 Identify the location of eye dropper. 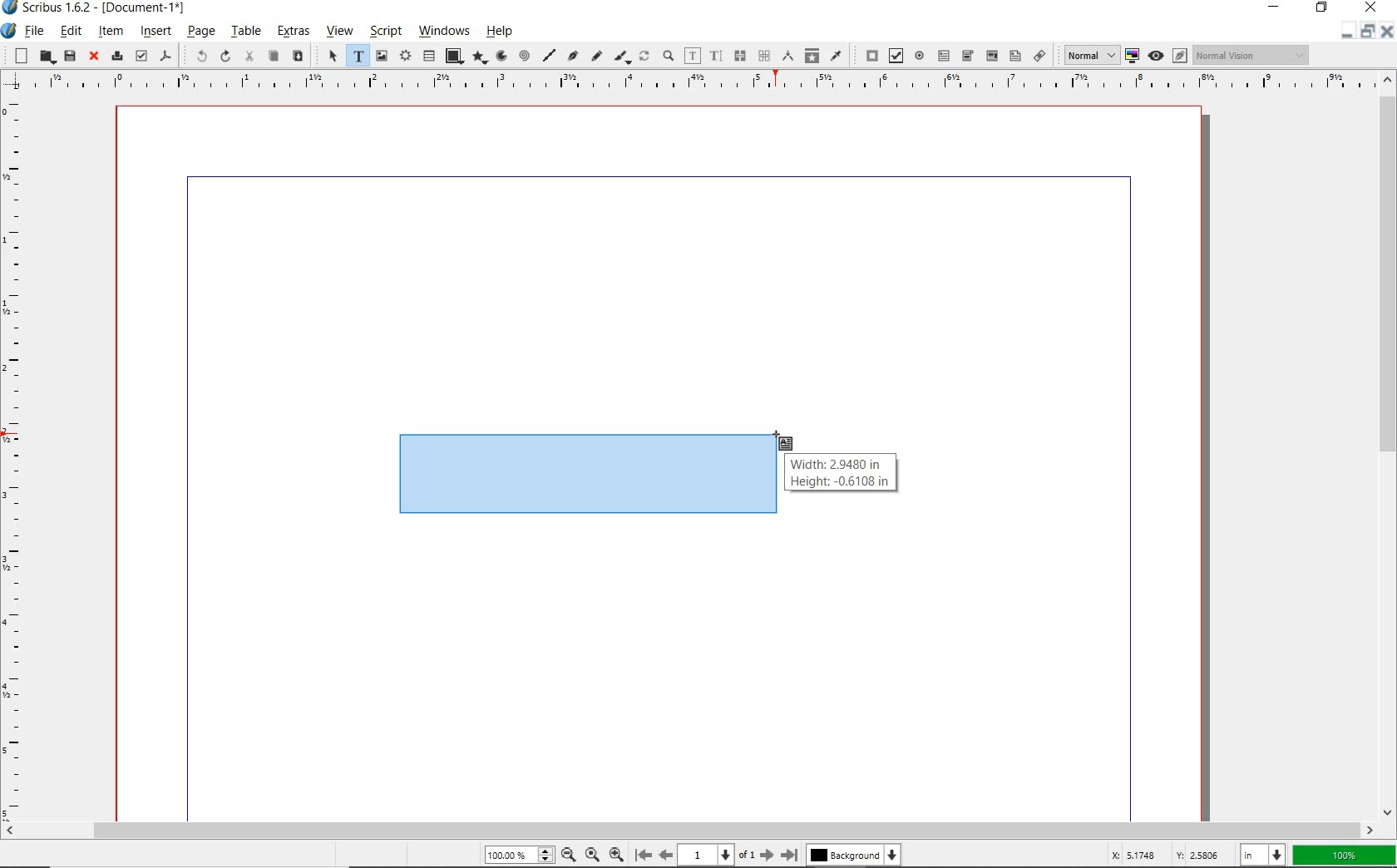
(837, 55).